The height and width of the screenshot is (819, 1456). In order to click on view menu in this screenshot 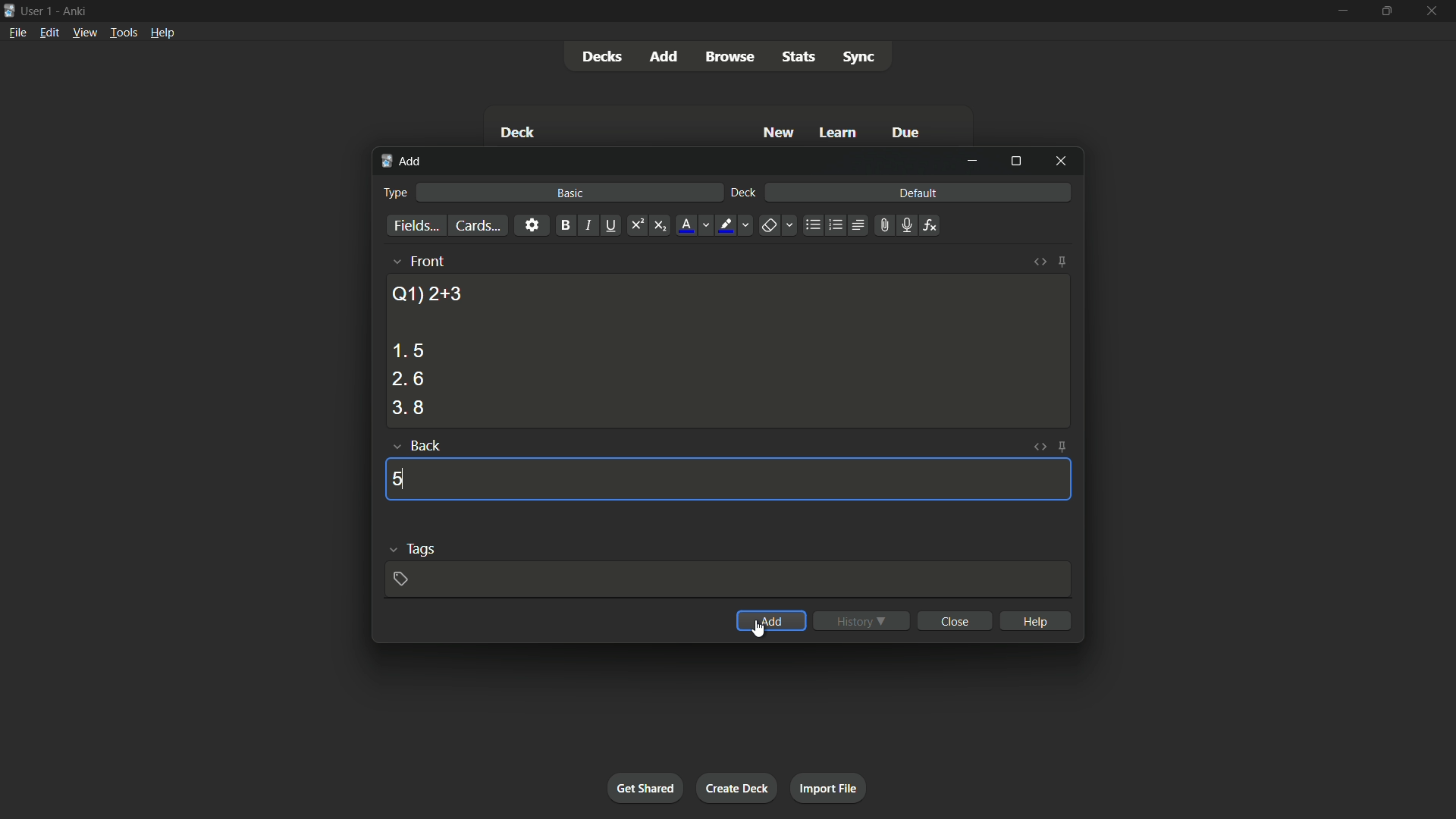, I will do `click(83, 31)`.